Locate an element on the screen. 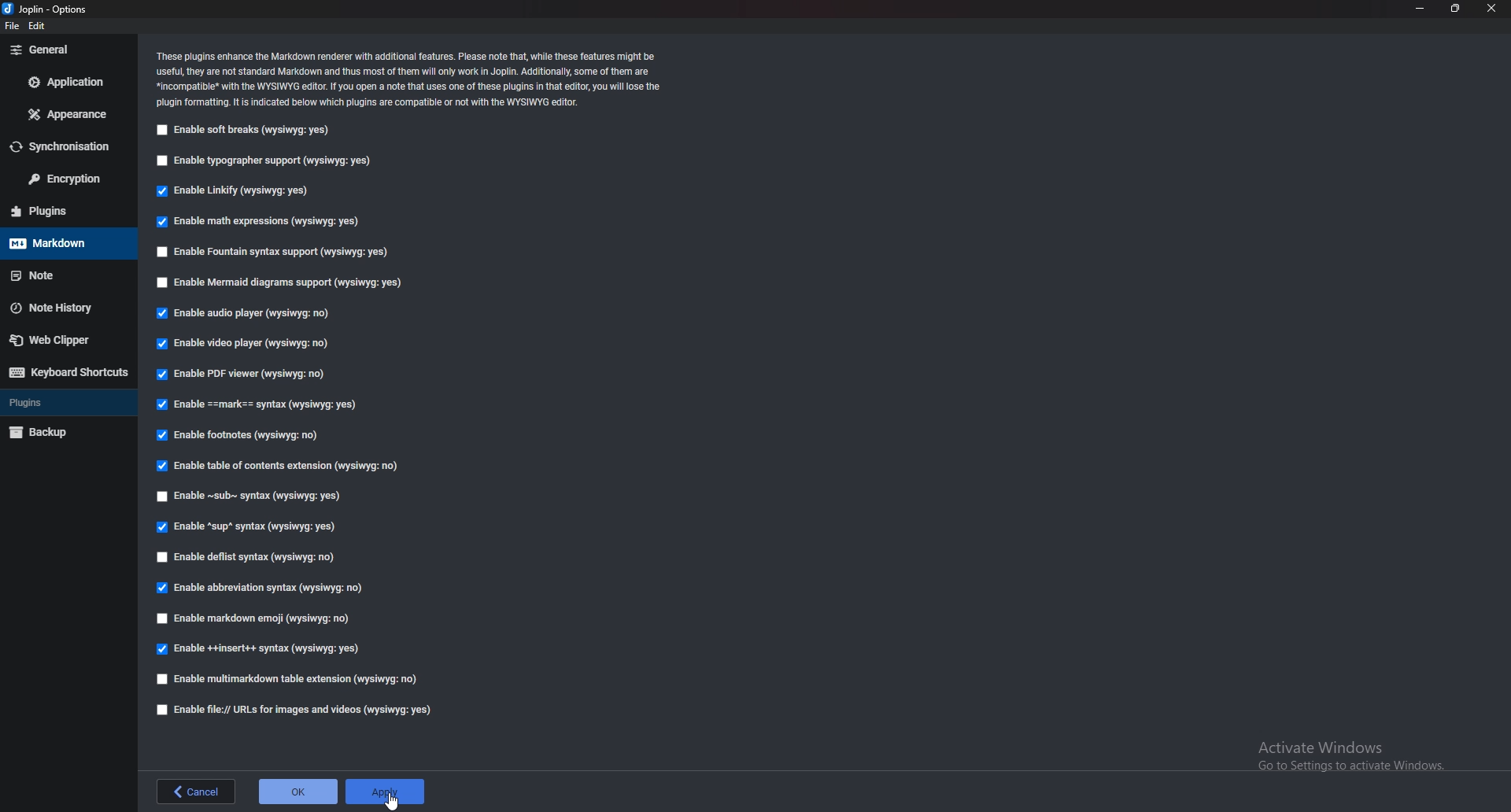 This screenshot has width=1511, height=812. Enable Sub syntax is located at coordinates (251, 494).